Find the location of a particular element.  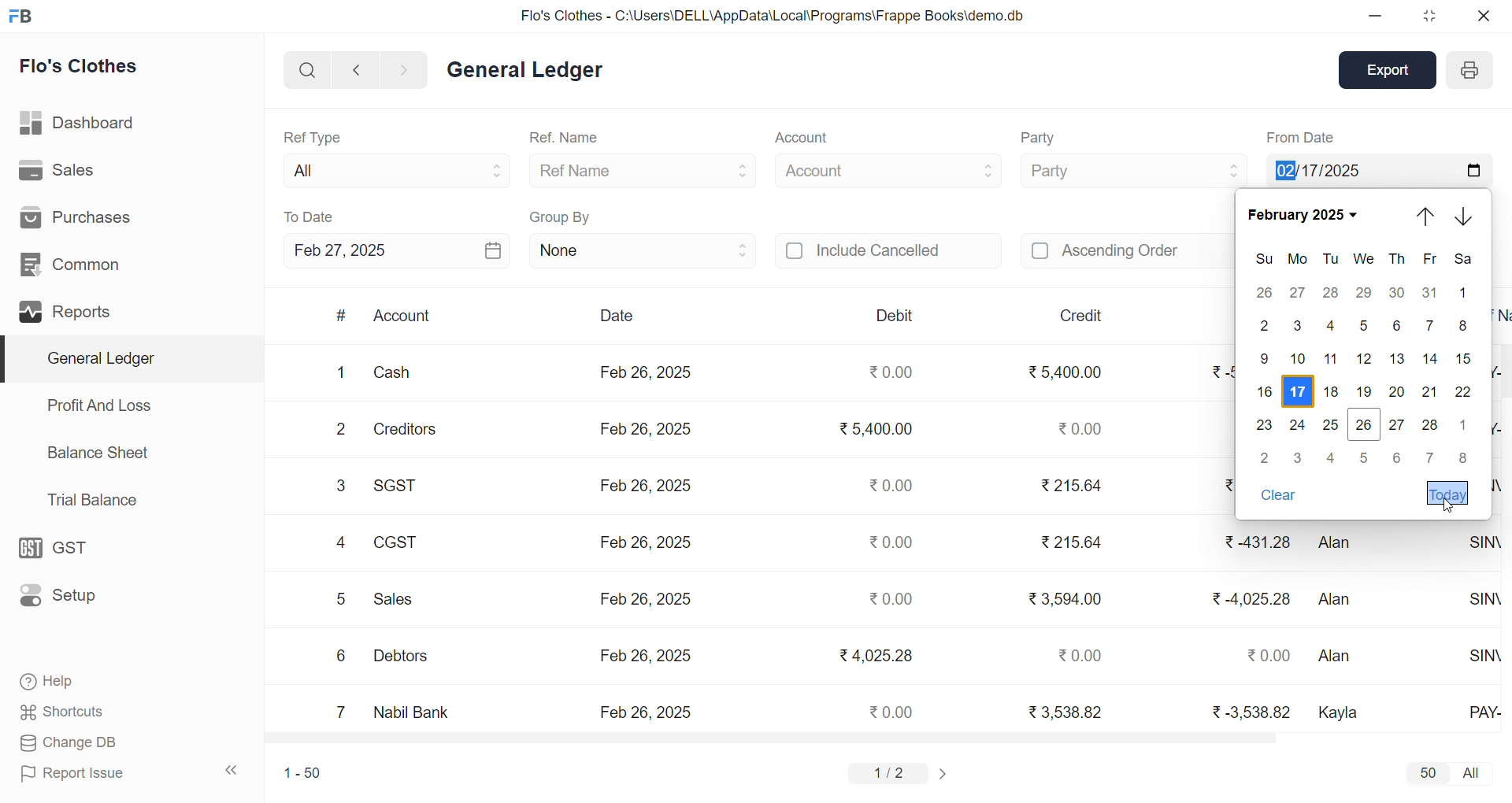

1 is located at coordinates (336, 372).